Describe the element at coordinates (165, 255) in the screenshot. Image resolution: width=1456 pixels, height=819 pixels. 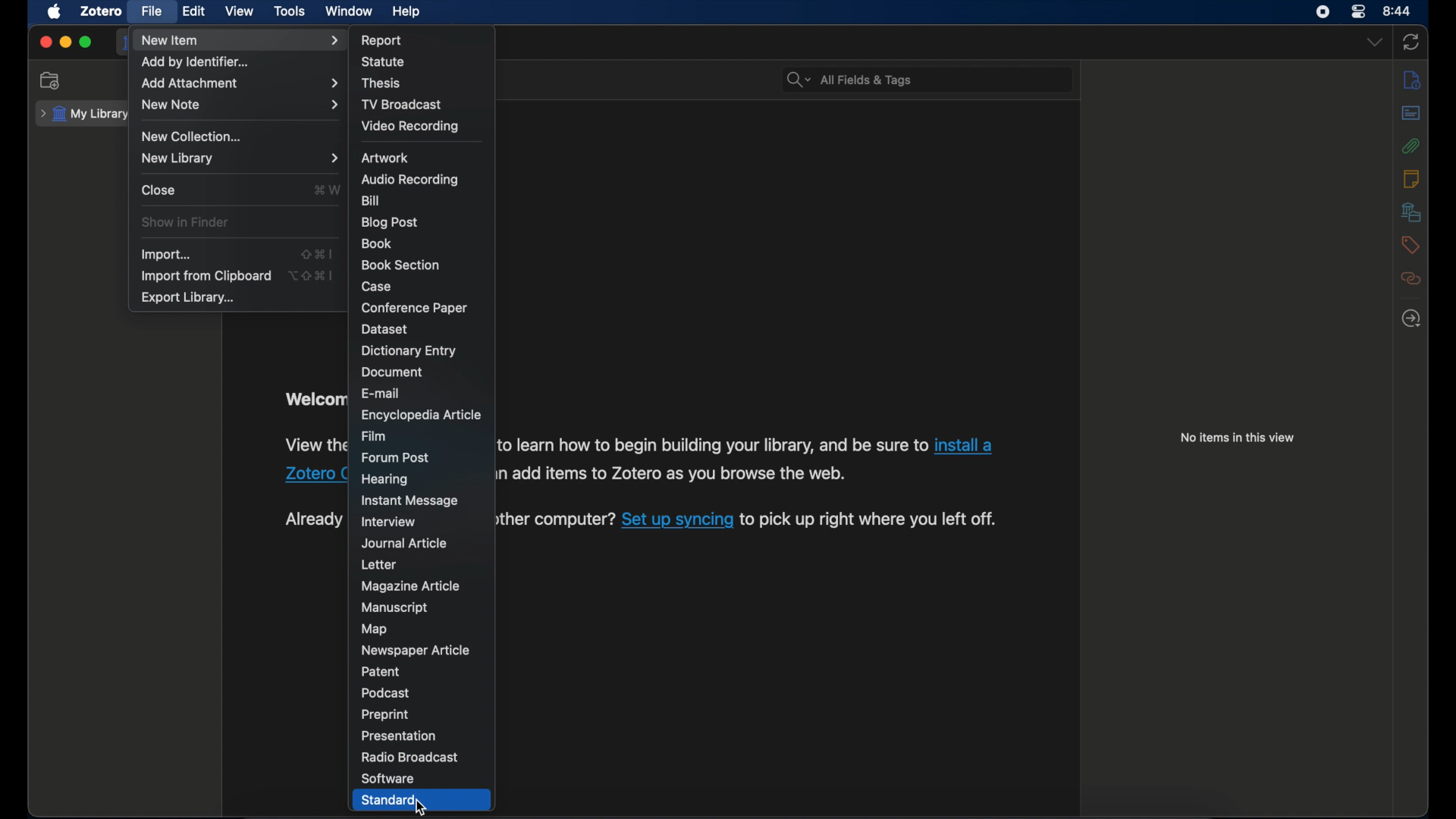
I see `import` at that location.